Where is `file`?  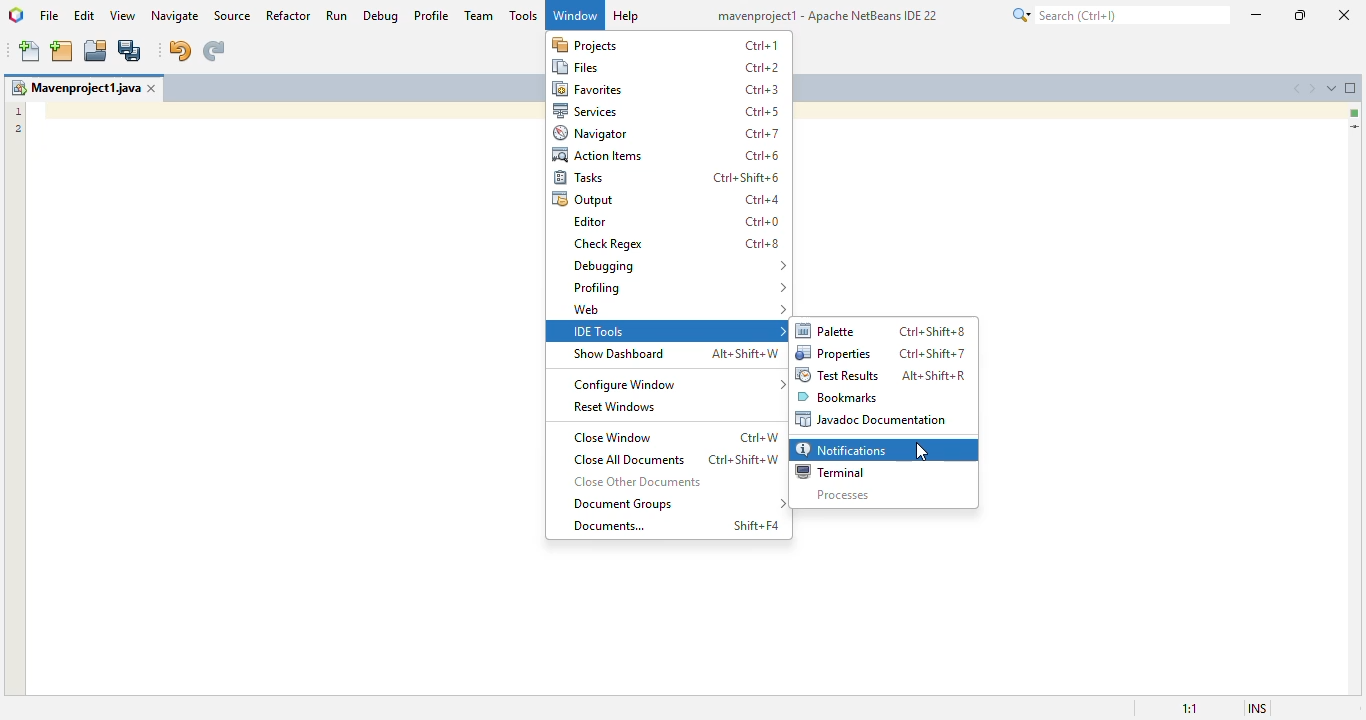 file is located at coordinates (49, 16).